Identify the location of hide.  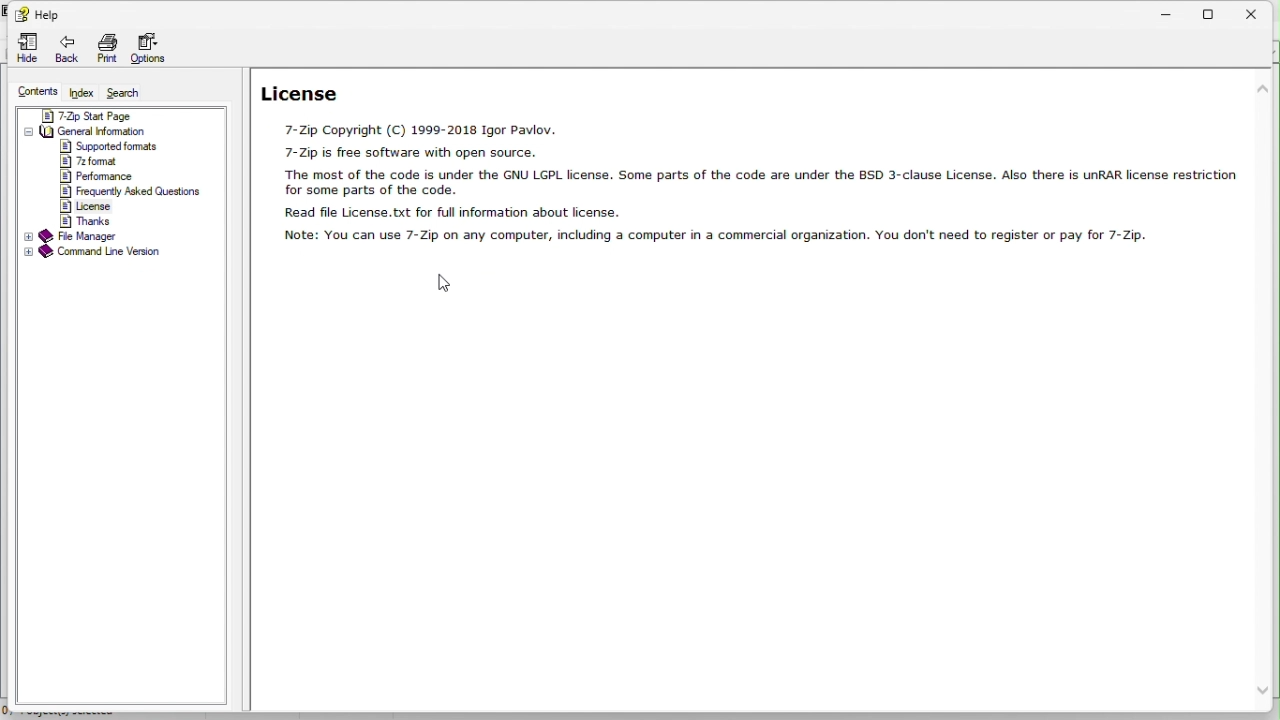
(23, 49).